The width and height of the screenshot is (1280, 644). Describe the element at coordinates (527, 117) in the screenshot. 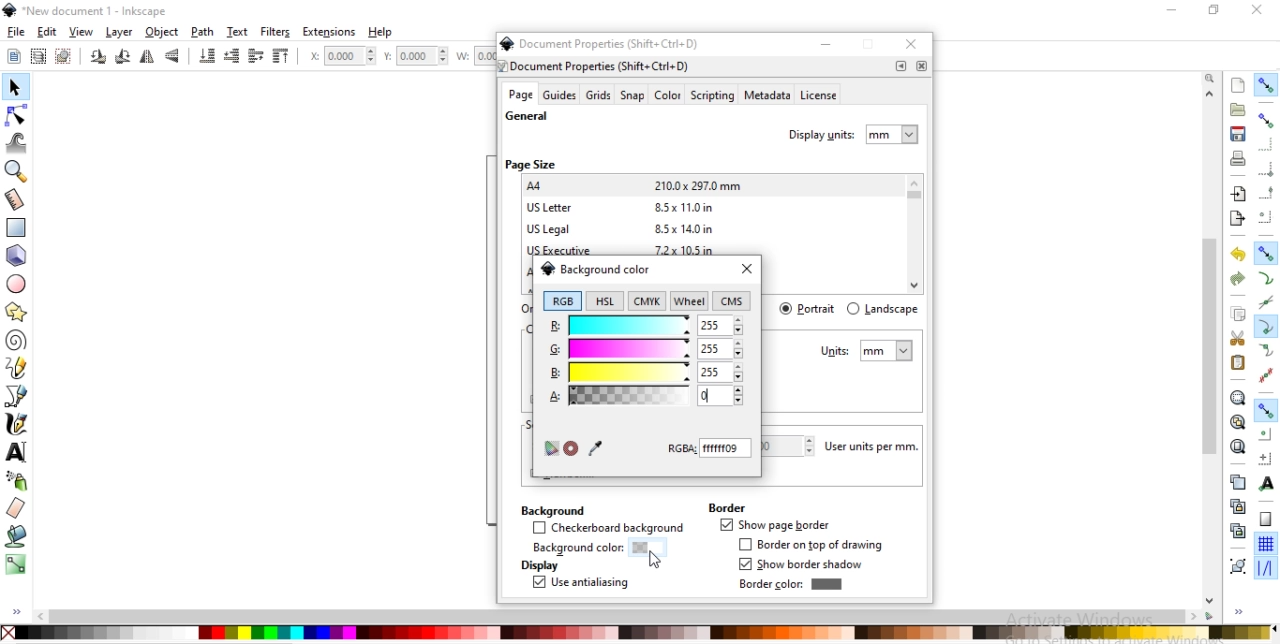

I see `general` at that location.